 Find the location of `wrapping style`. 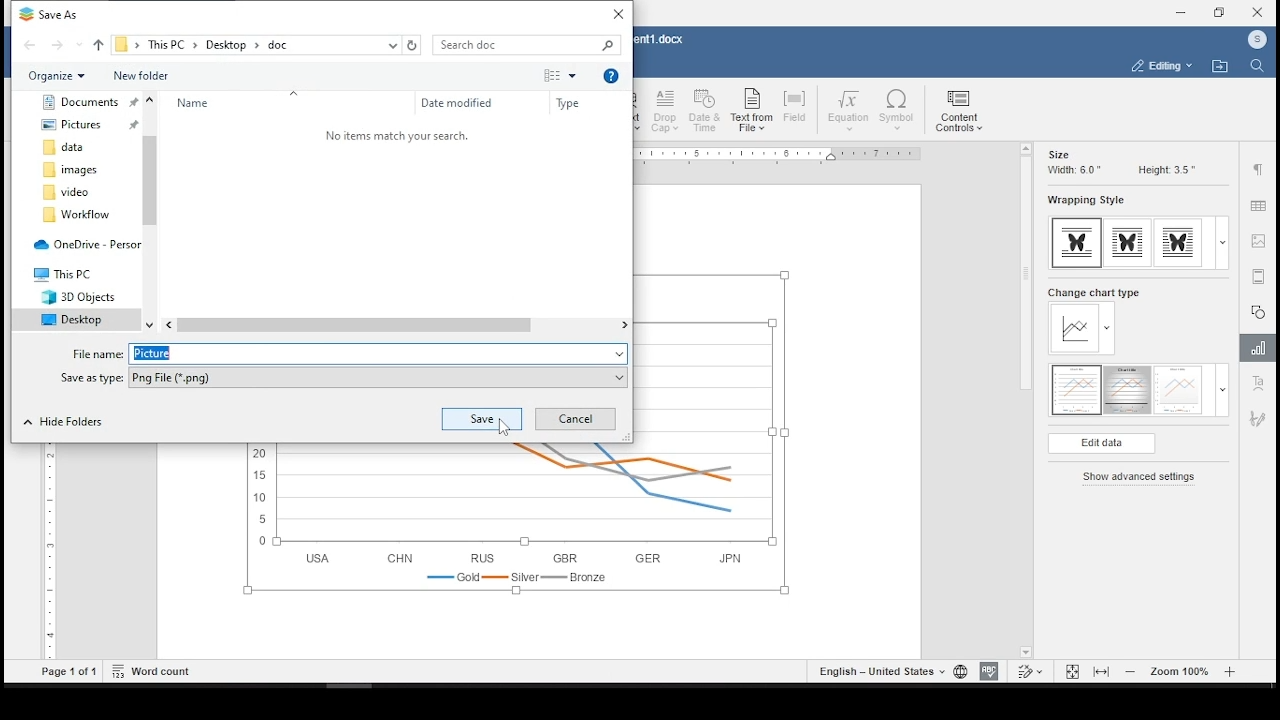

wrapping style is located at coordinates (1084, 201).